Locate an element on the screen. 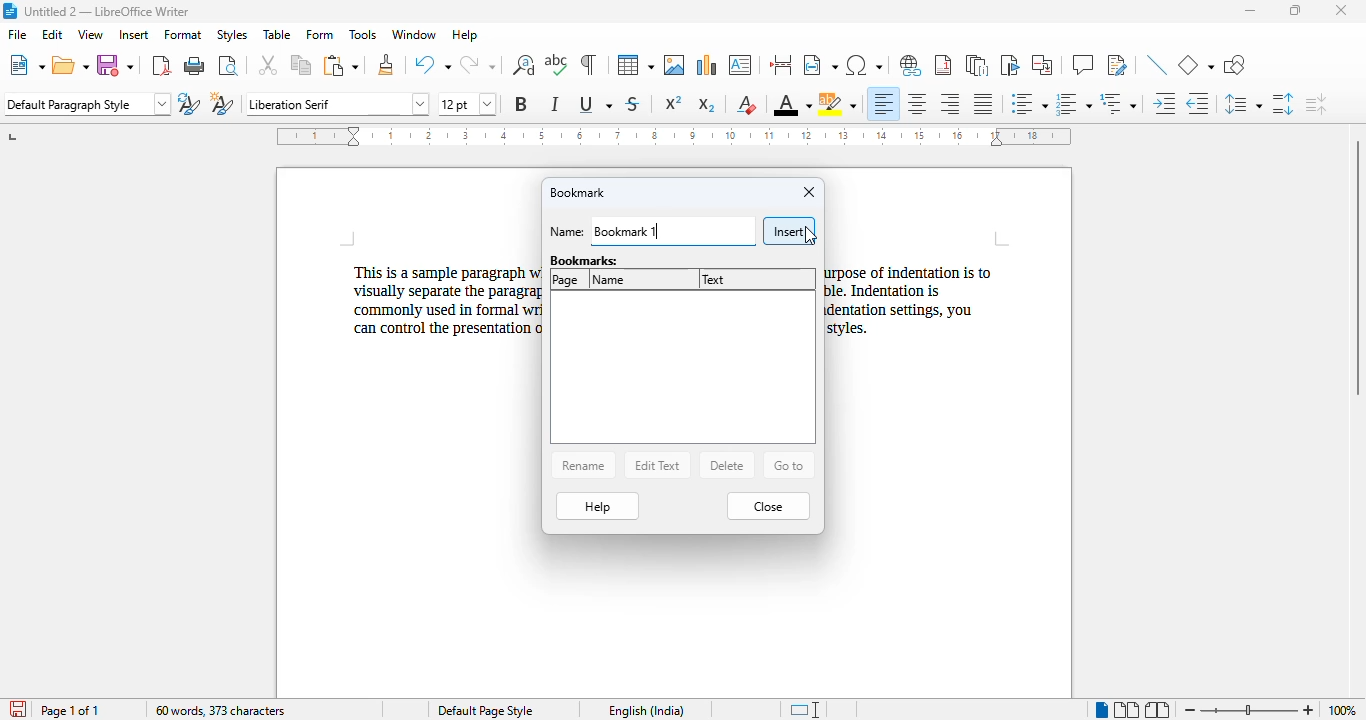 The height and width of the screenshot is (720, 1366). zoom slider is located at coordinates (1252, 710).